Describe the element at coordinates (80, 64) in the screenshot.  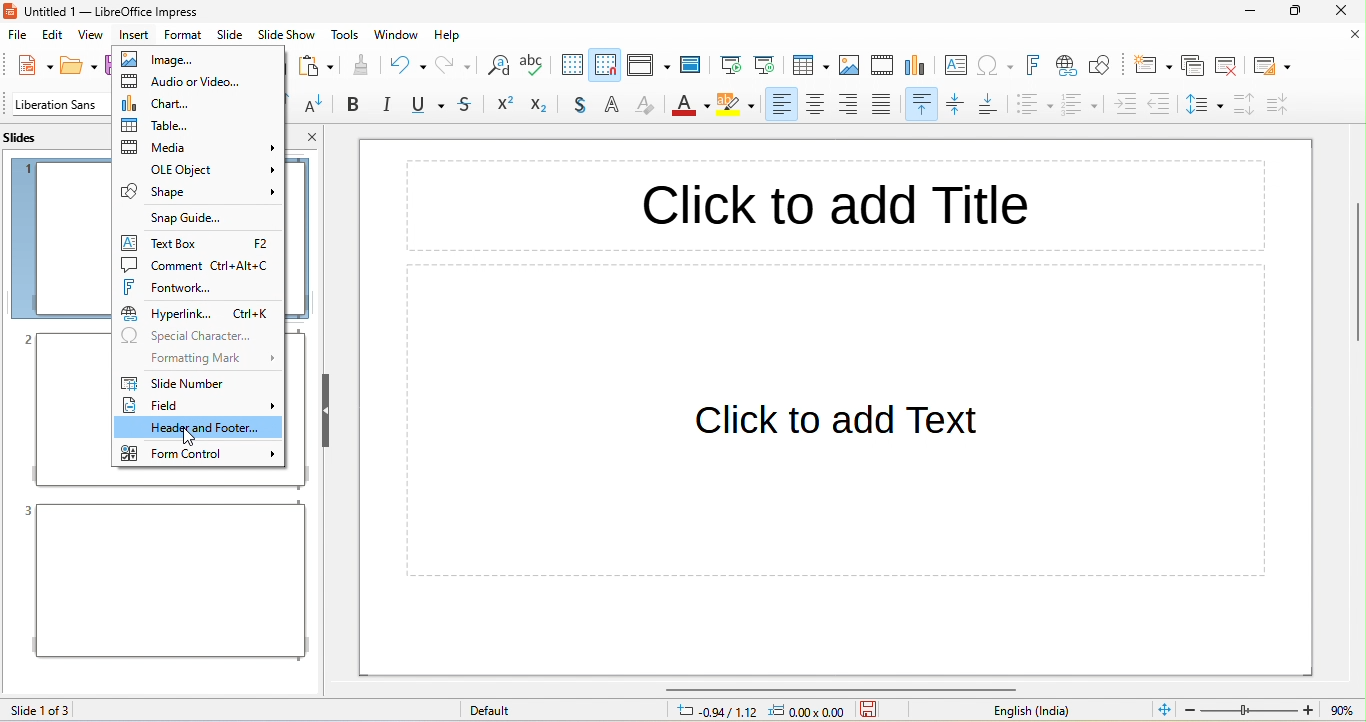
I see `open` at that location.